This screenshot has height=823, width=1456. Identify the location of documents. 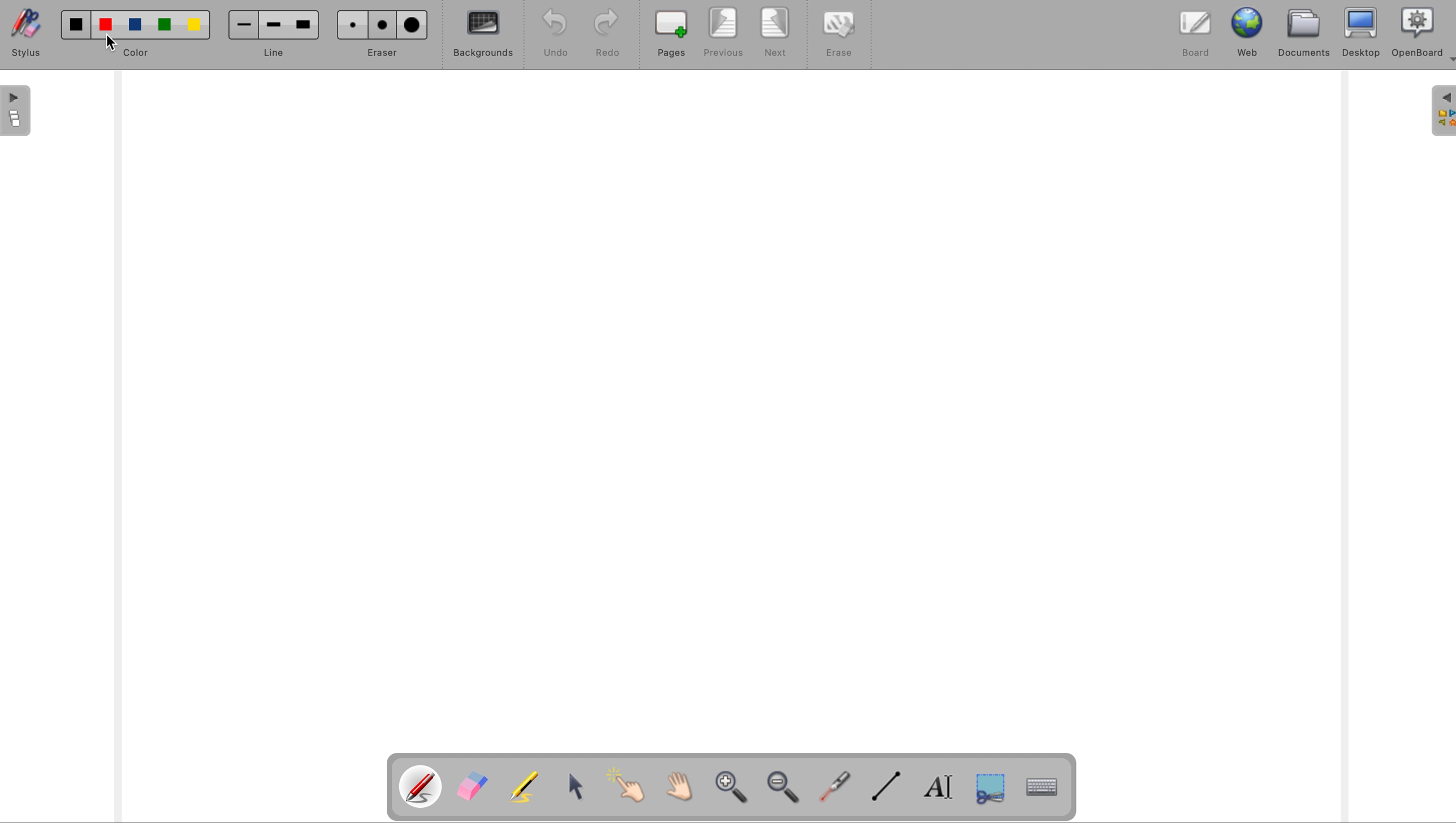
(1307, 33).